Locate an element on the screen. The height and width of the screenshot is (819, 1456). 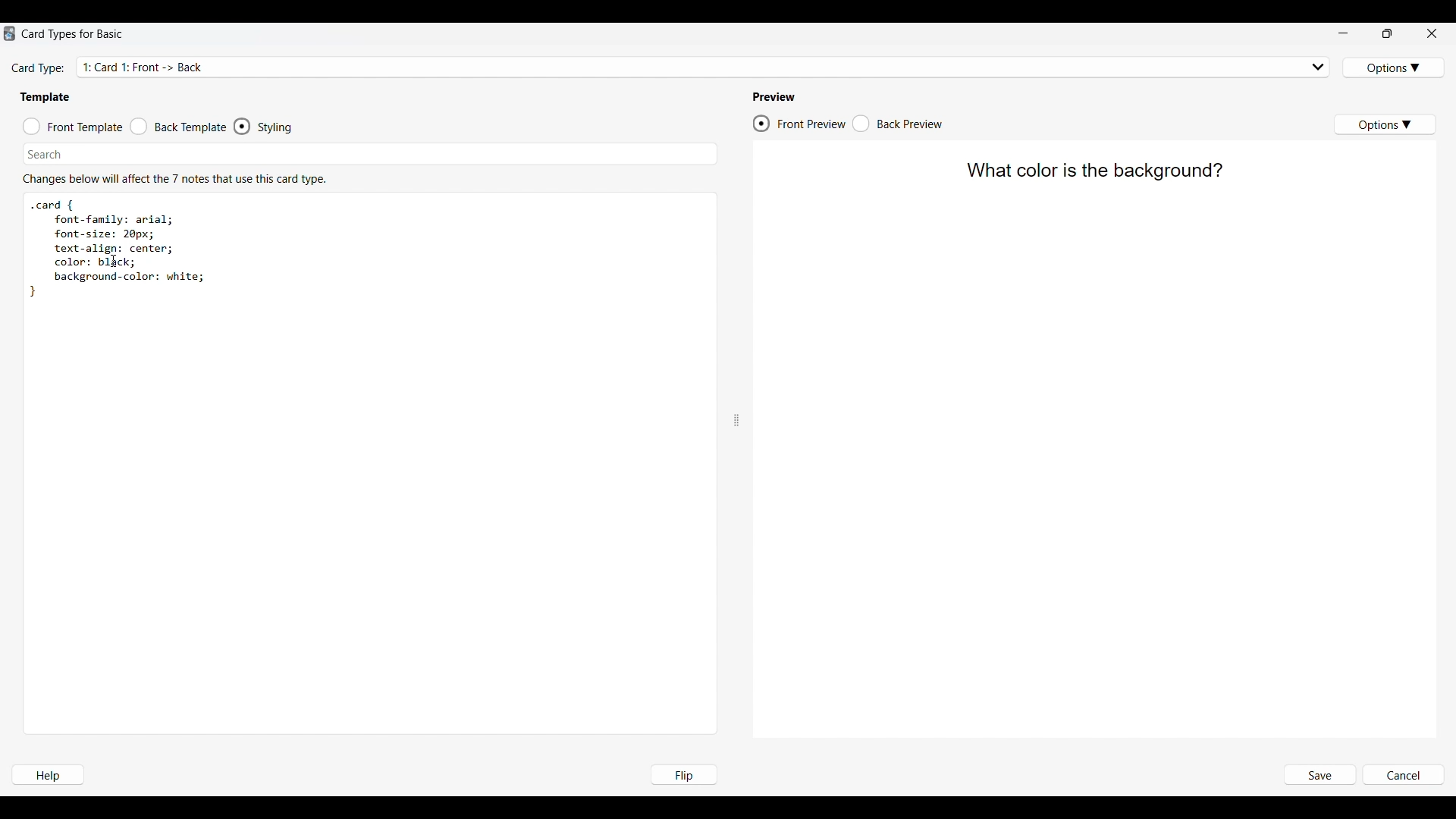
Indicates Preview section is located at coordinates (777, 97).